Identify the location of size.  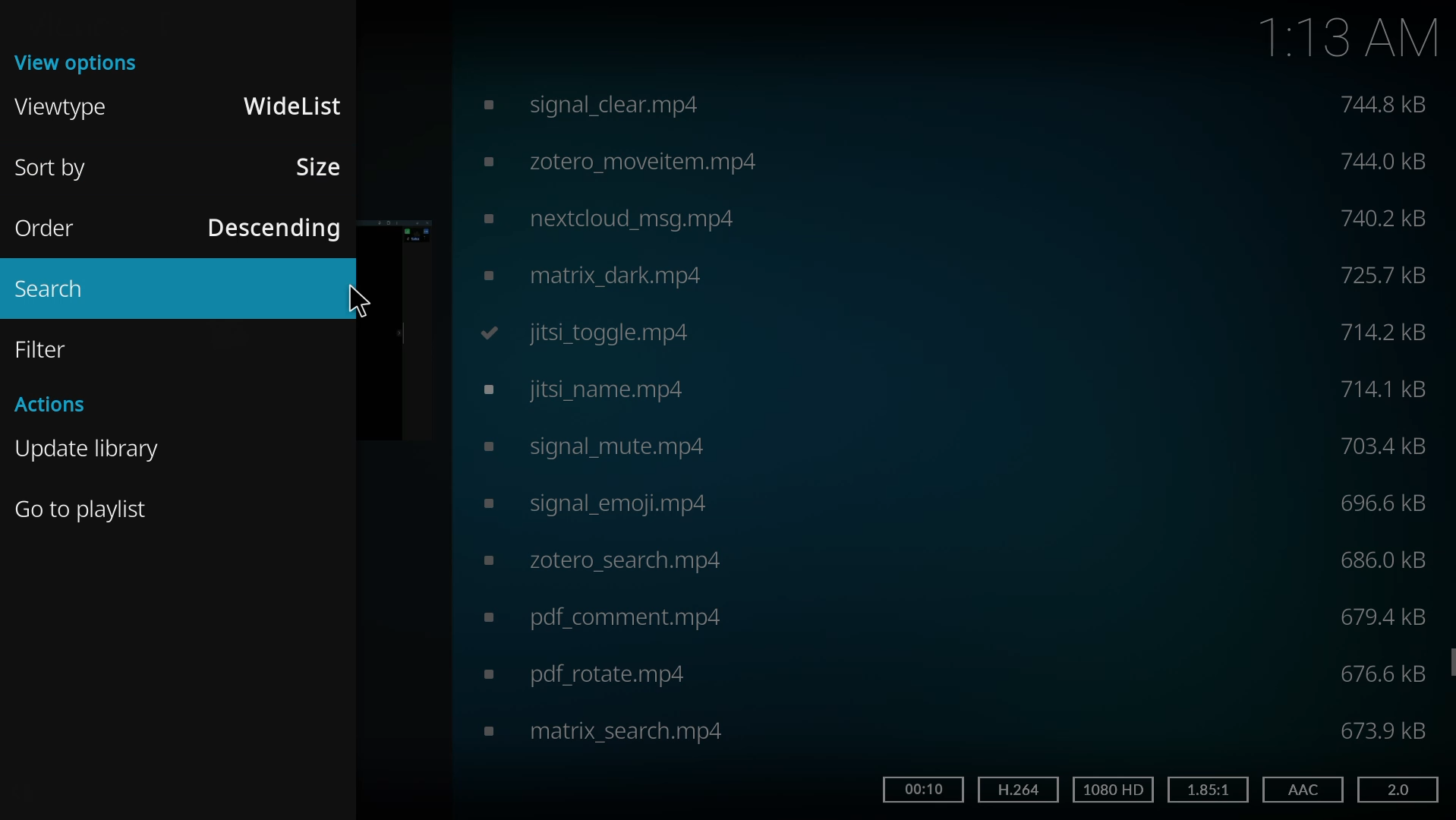
(1388, 729).